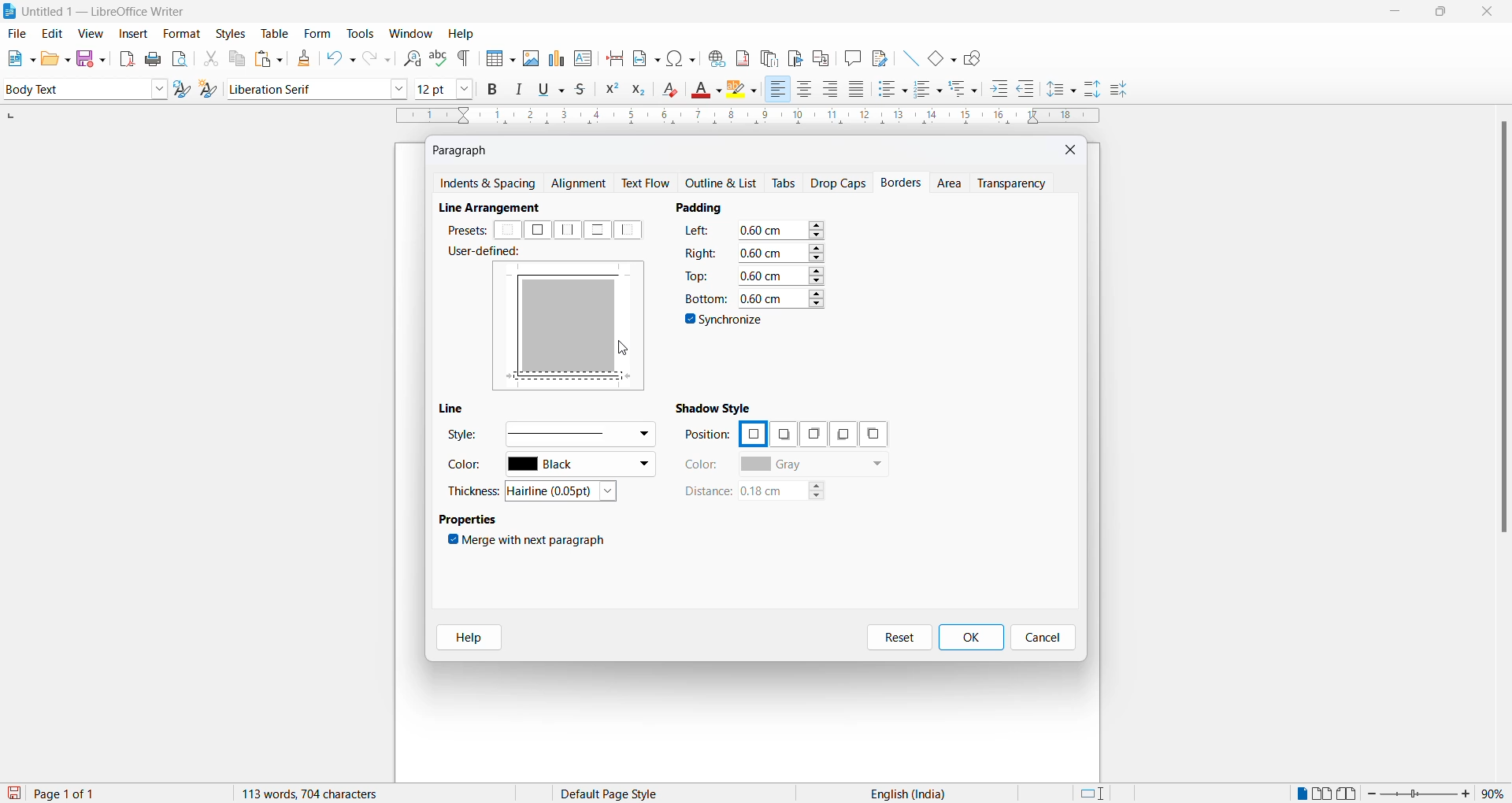  I want to click on value, so click(780, 252).